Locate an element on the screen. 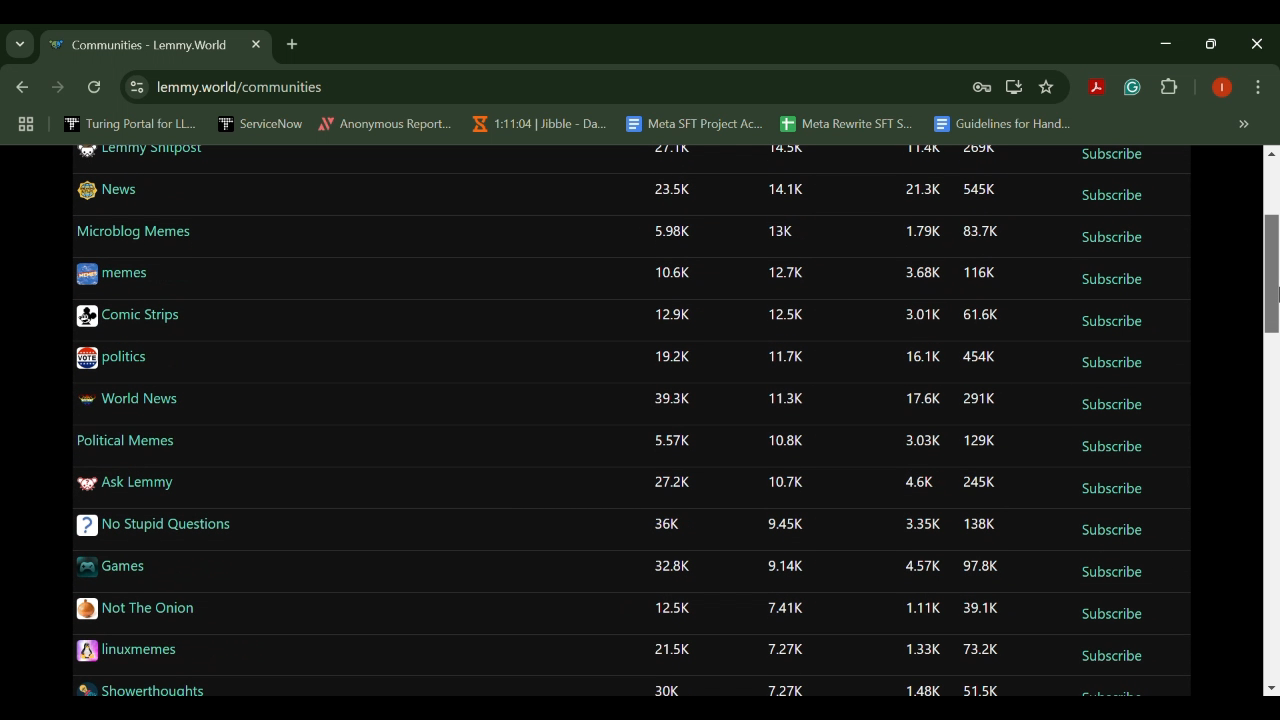 This screenshot has width=1280, height=720. 10.6K is located at coordinates (671, 273).